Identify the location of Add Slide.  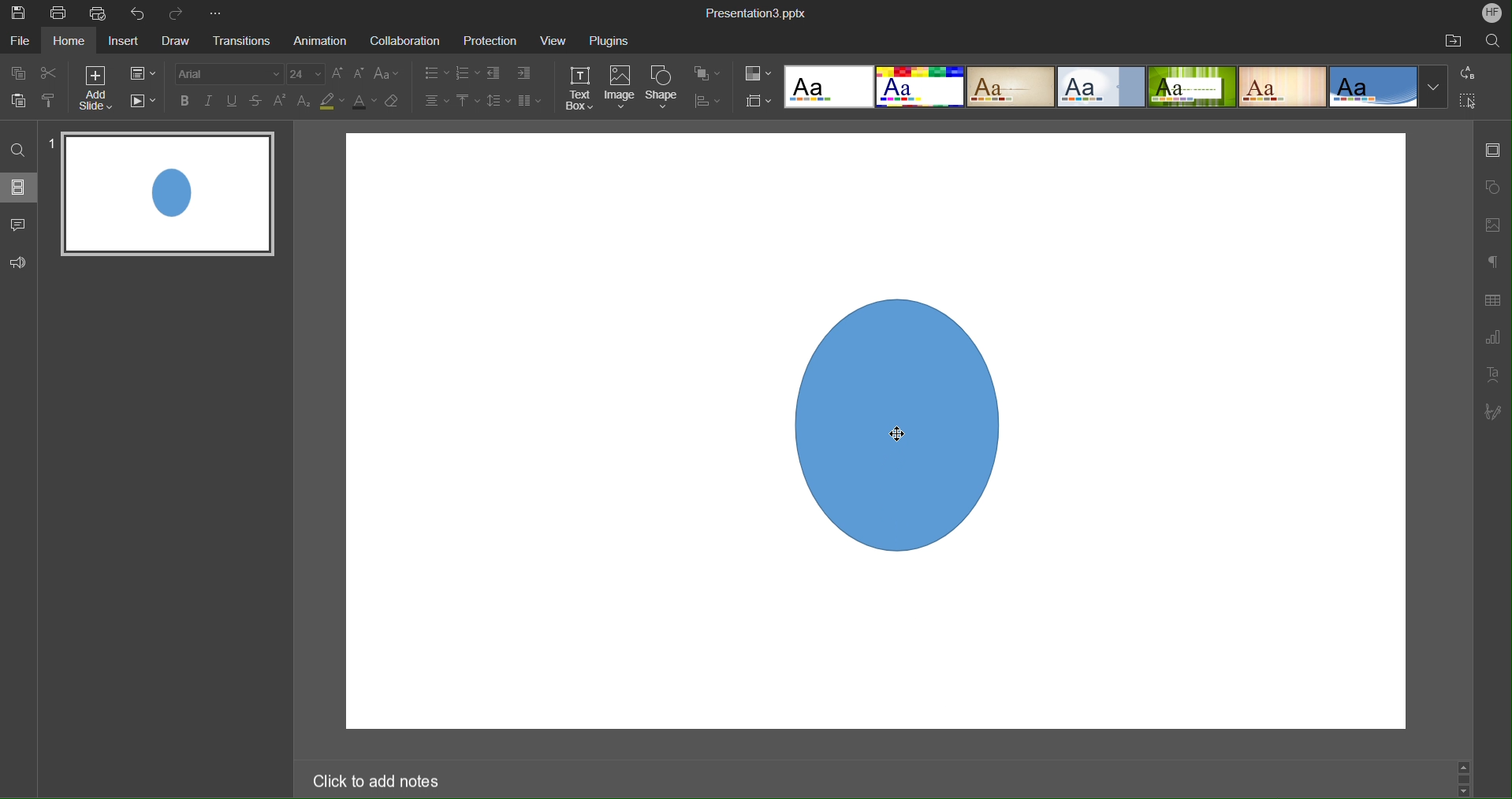
(97, 88).